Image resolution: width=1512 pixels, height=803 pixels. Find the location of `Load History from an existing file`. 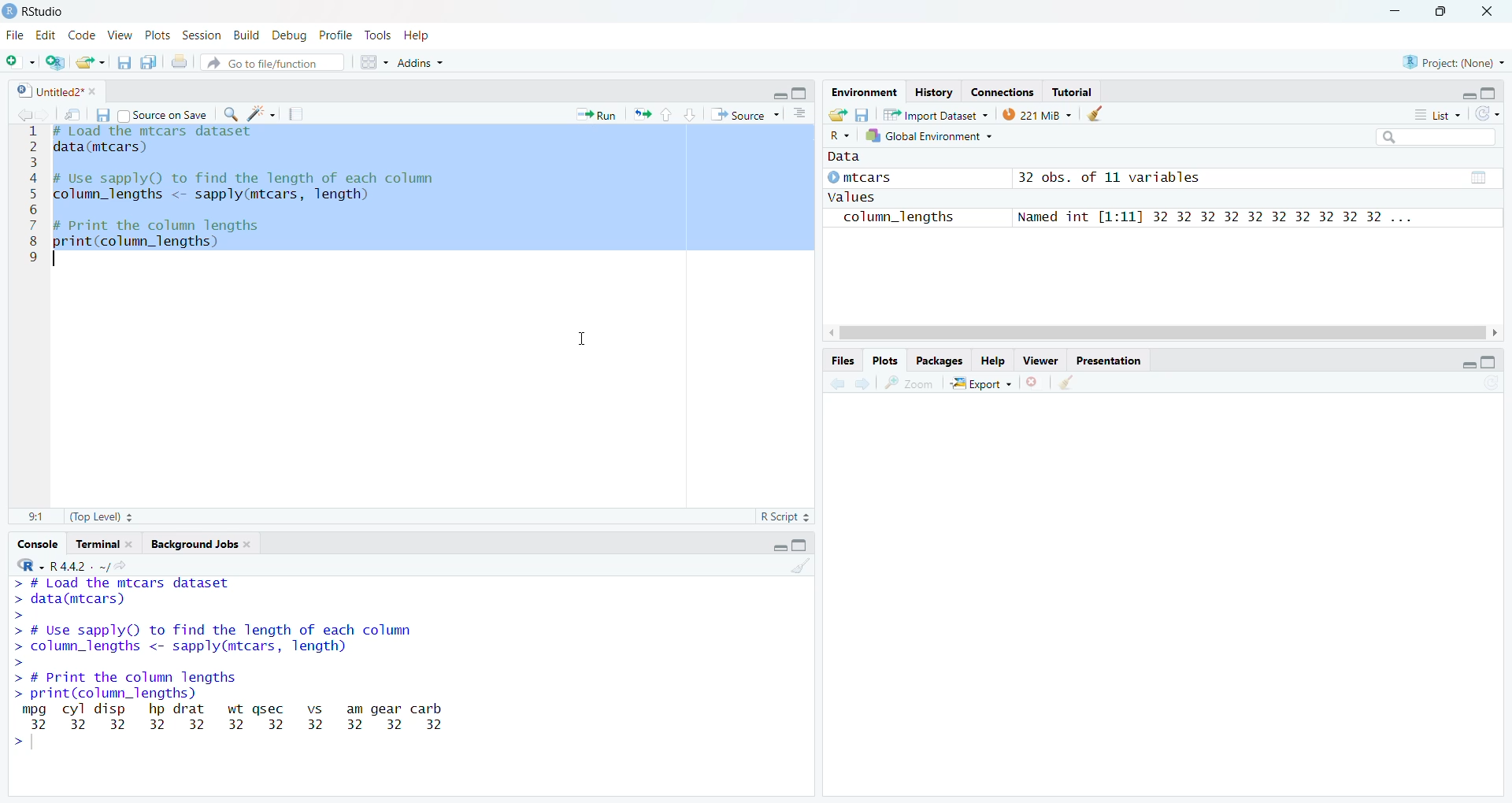

Load History from an existing file is located at coordinates (838, 115).